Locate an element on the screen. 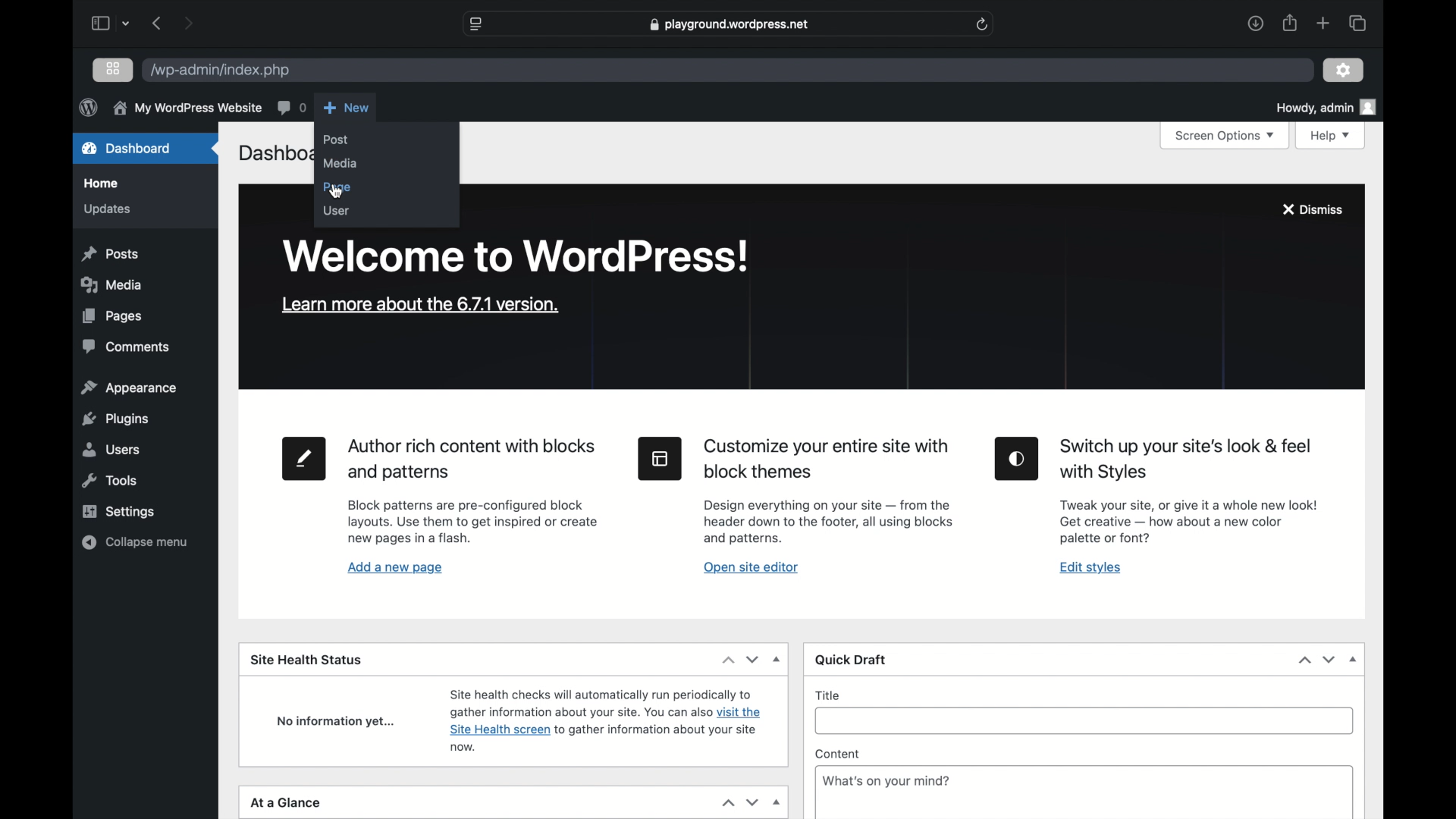 The image size is (1456, 819). dropdown is located at coordinates (778, 658).